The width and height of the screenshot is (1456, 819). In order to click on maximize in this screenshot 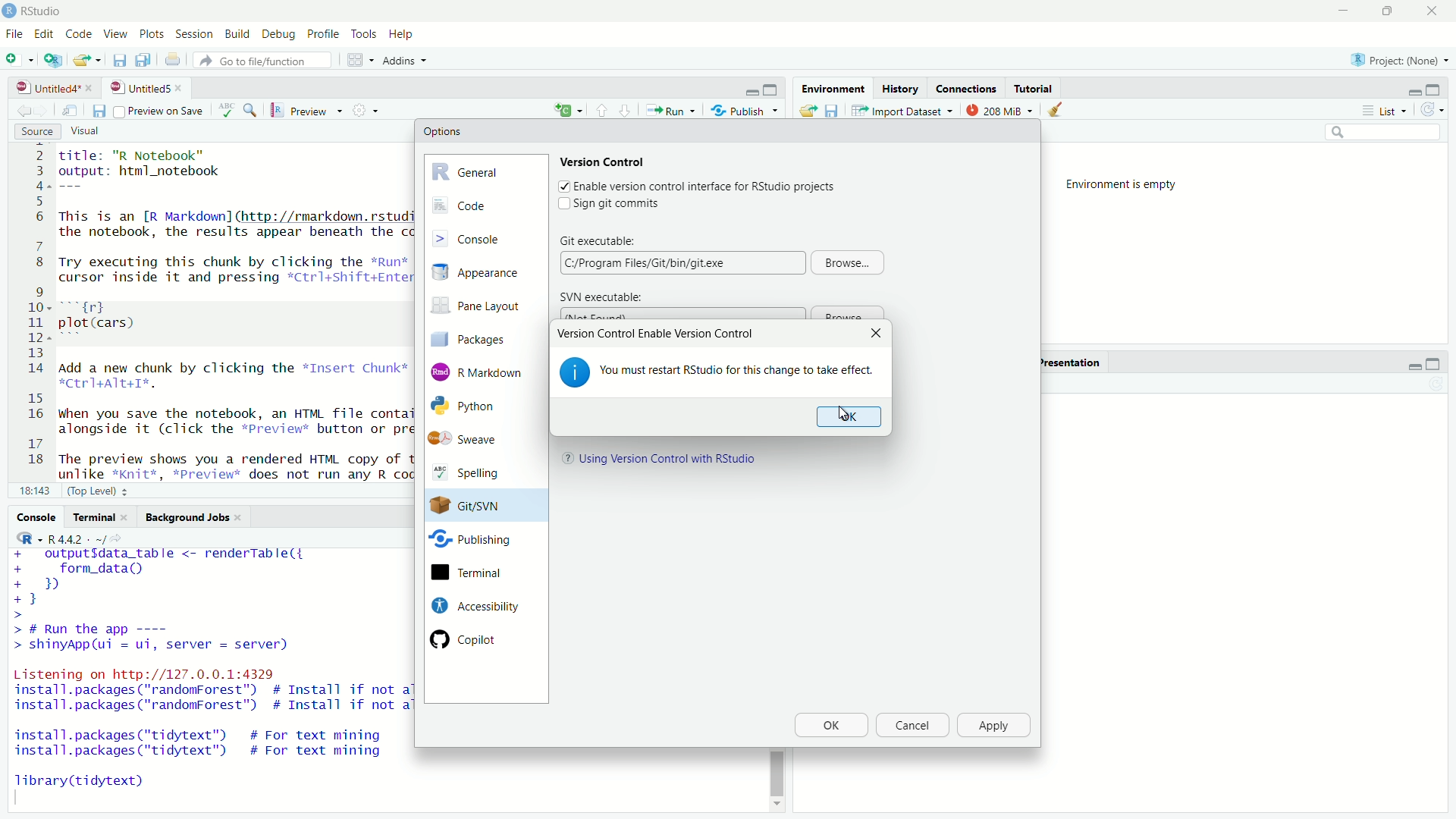, I will do `click(1437, 89)`.